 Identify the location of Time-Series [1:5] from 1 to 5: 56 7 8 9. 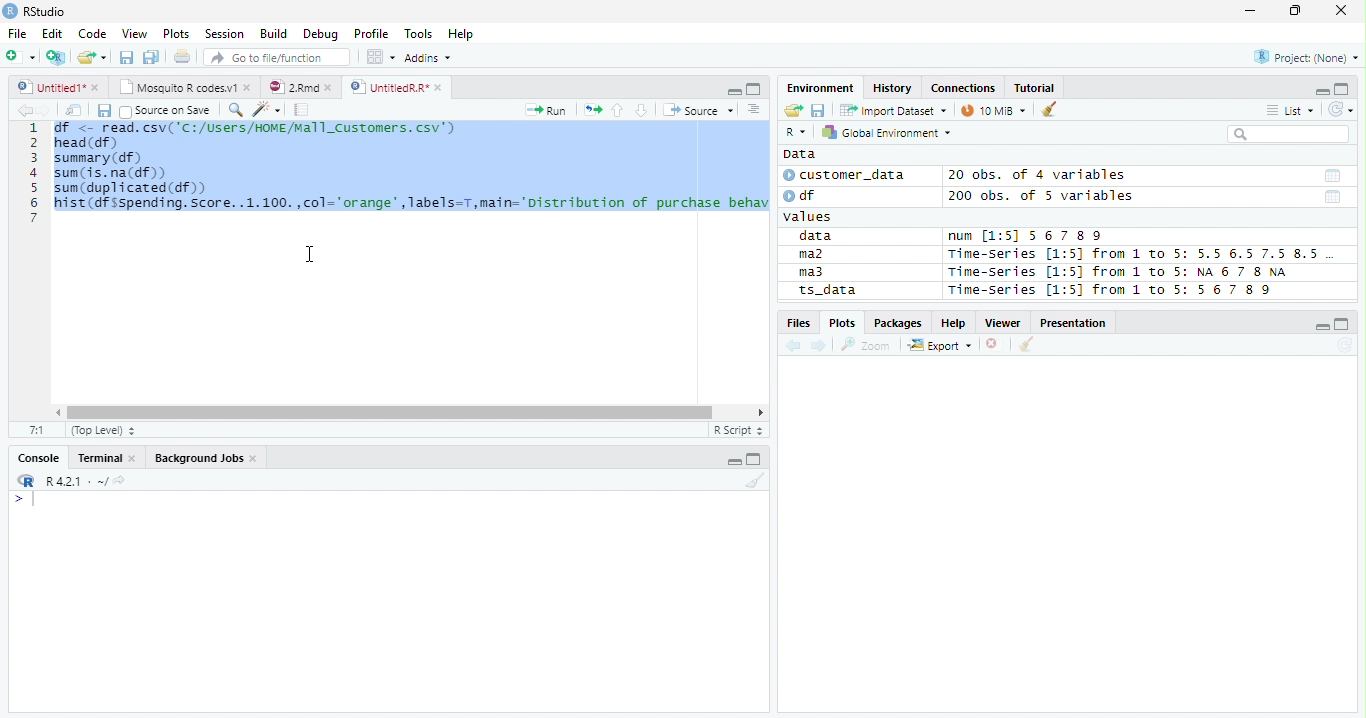
(1112, 290).